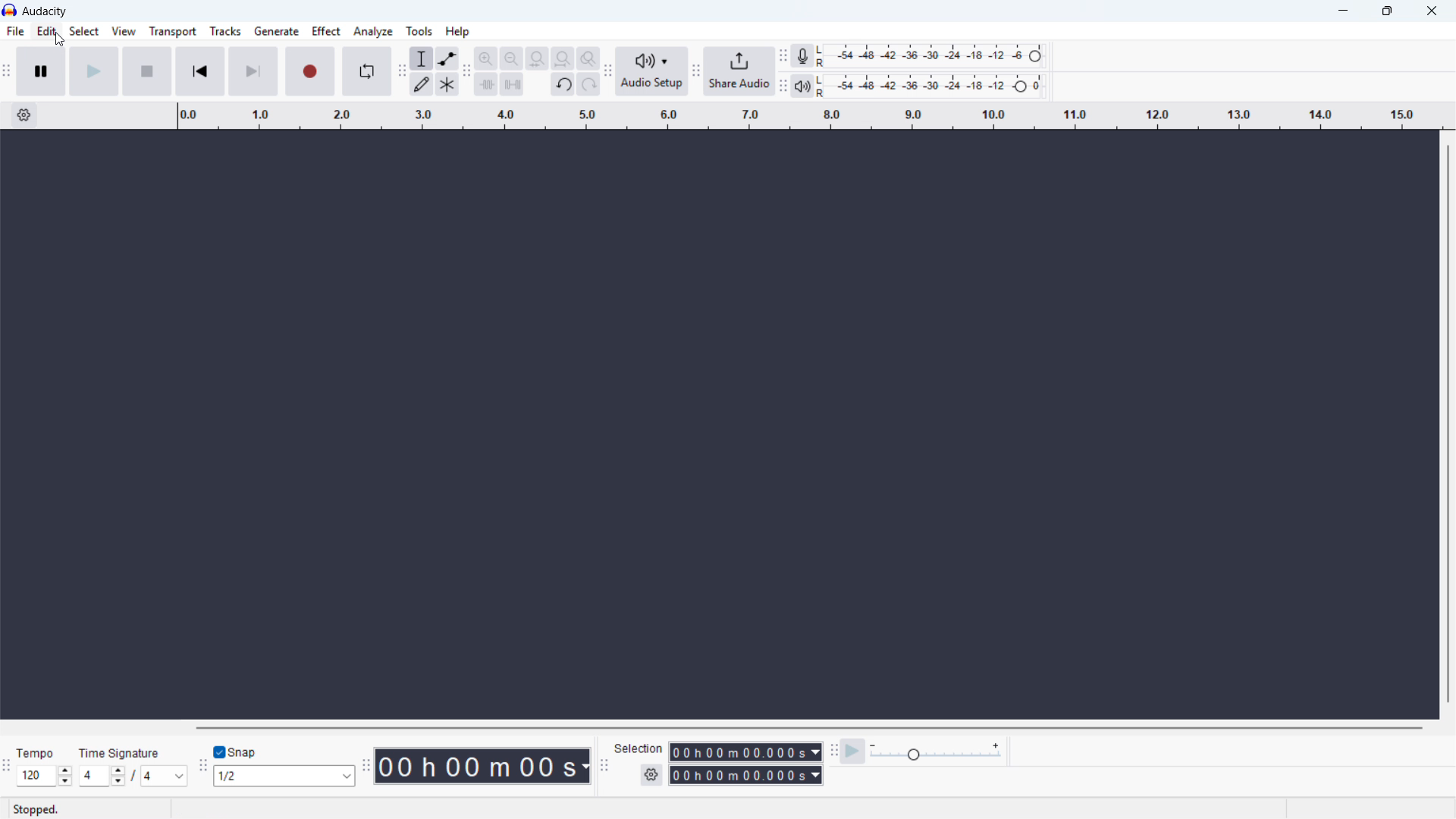  Describe the element at coordinates (60, 40) in the screenshot. I see `cursor` at that location.